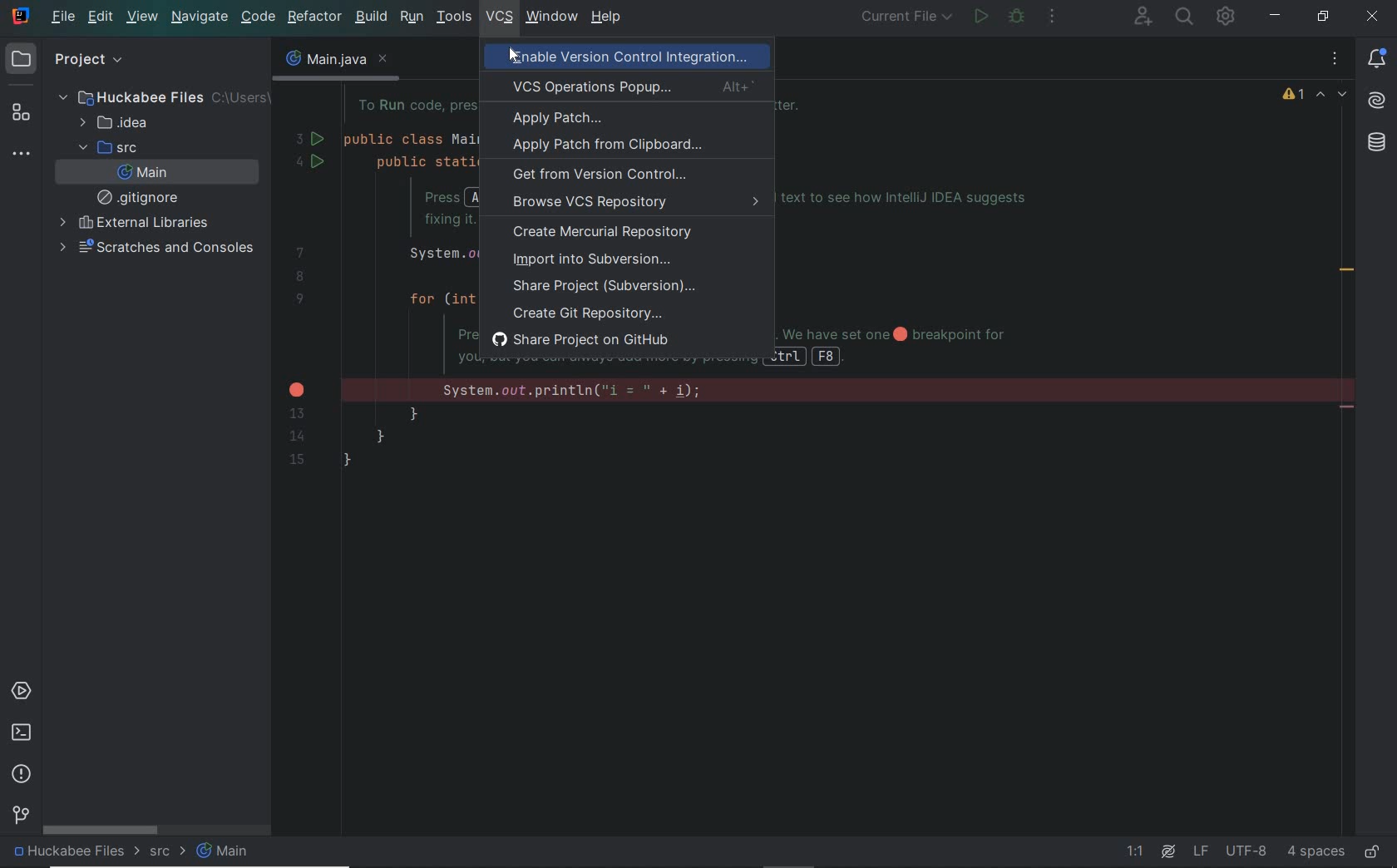  What do you see at coordinates (226, 852) in the screenshot?
I see `main` at bounding box center [226, 852].